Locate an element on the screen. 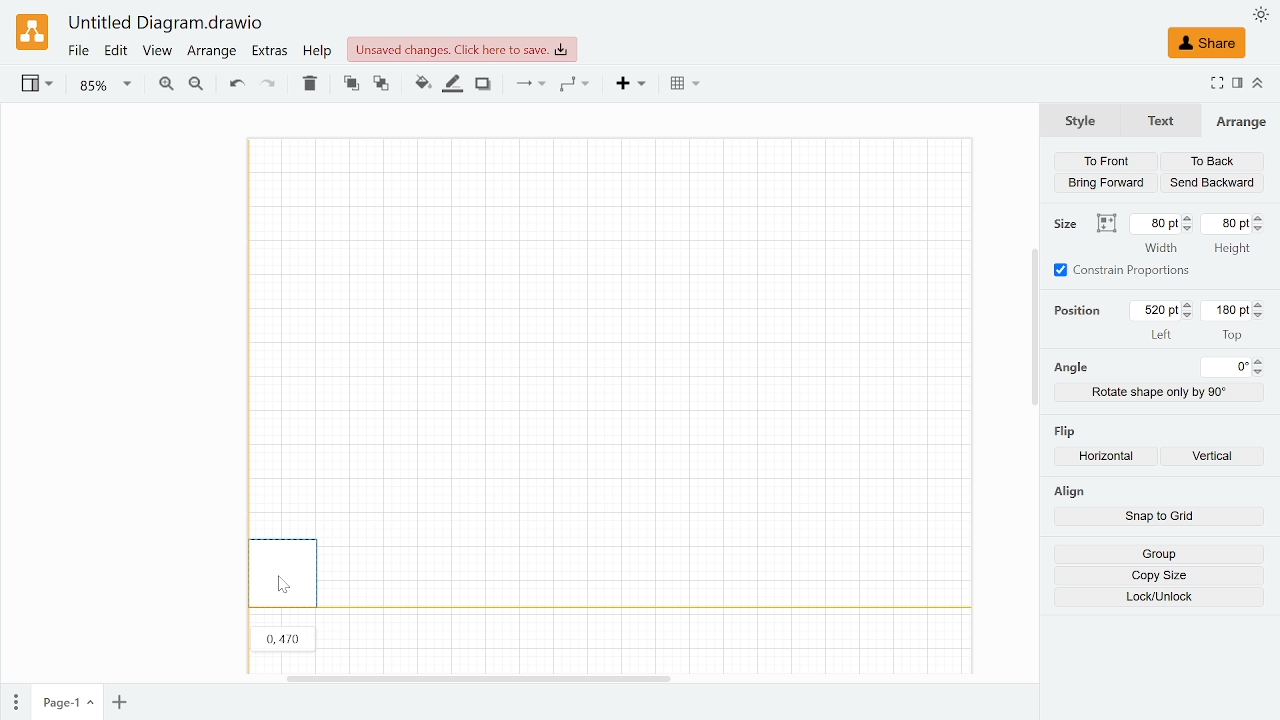 The image size is (1280, 720). left is located at coordinates (1162, 334).